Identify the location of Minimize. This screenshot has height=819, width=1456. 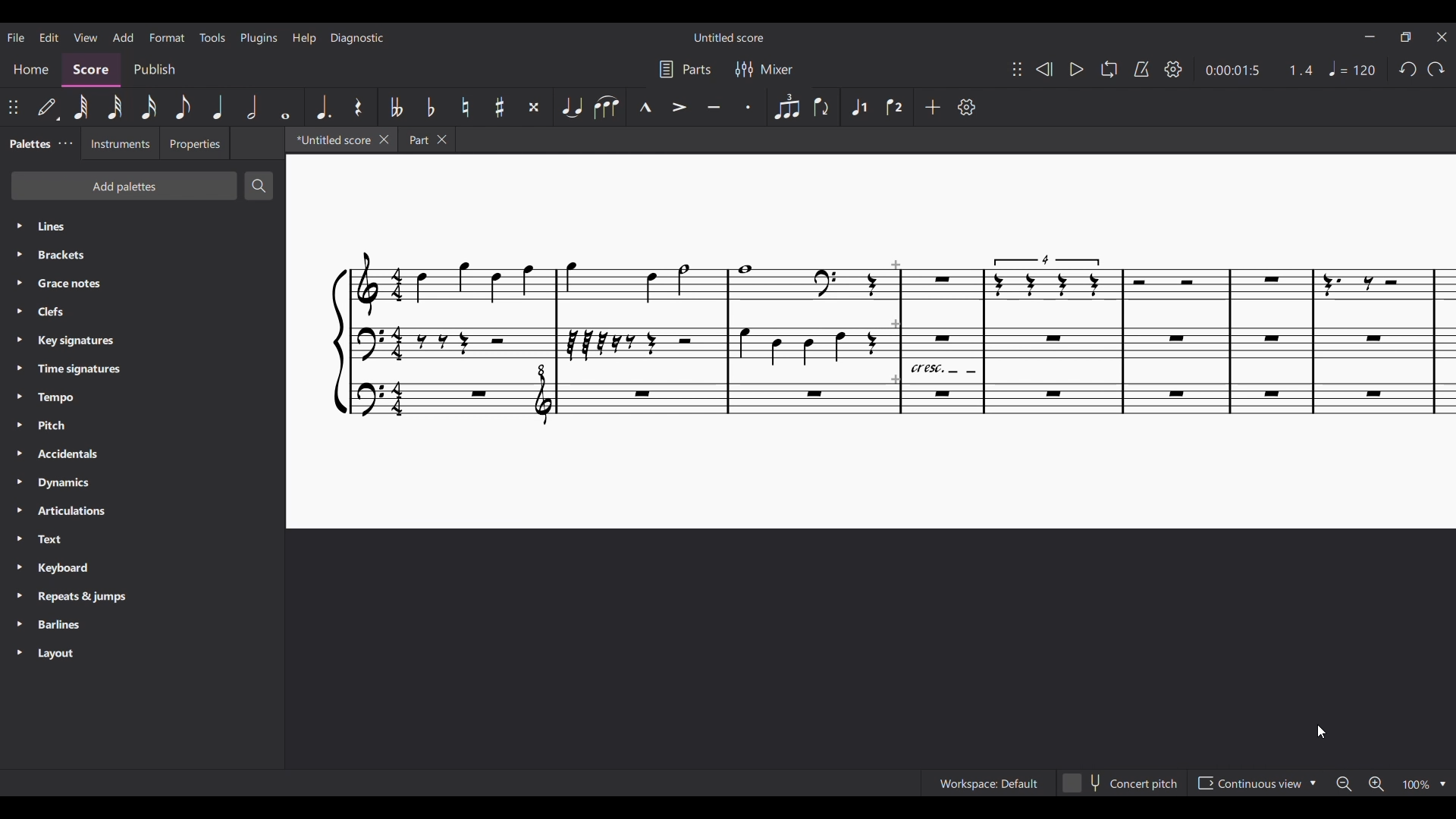
(1369, 36).